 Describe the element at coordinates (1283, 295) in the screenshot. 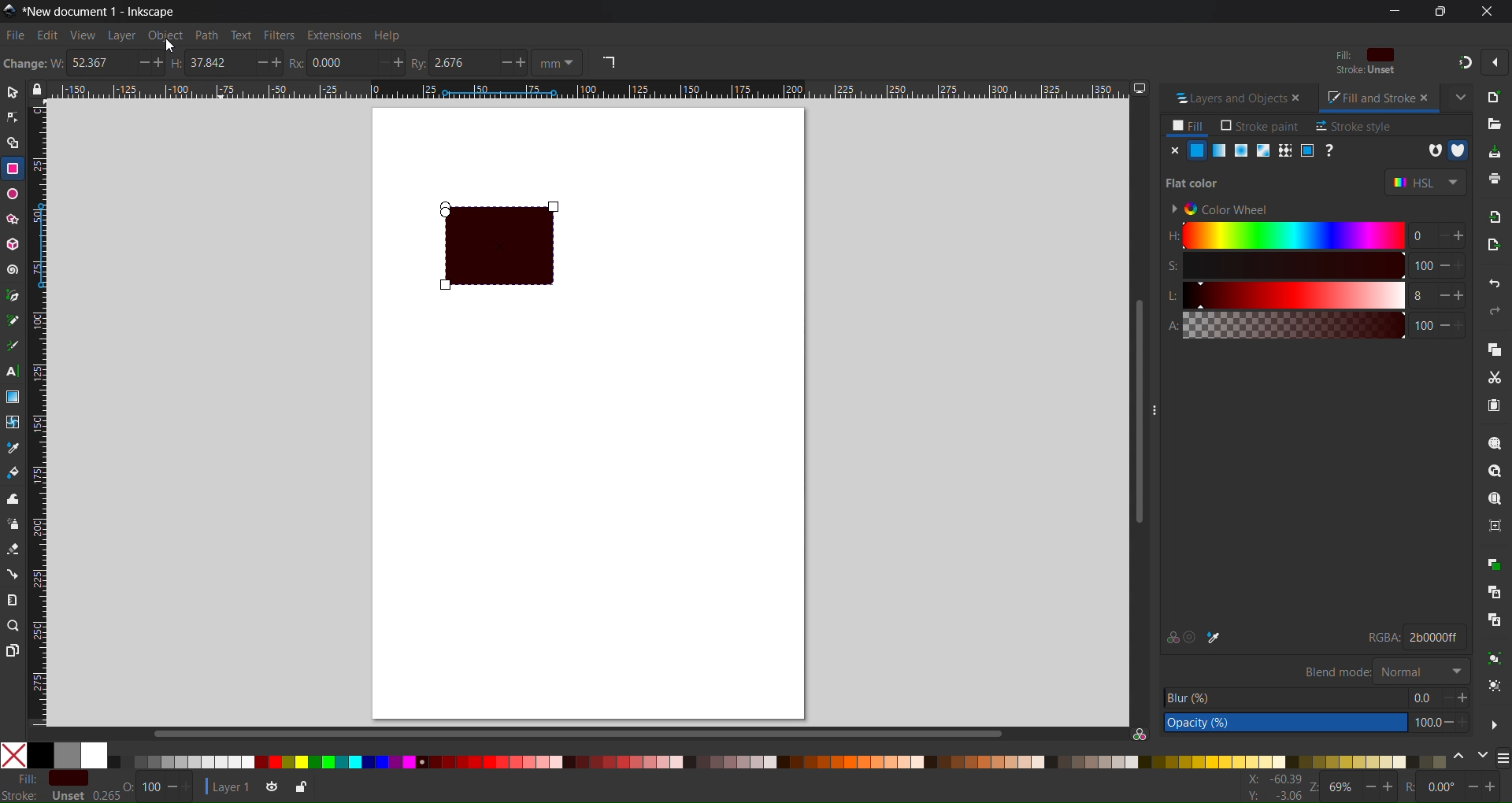

I see `Lightness` at that location.